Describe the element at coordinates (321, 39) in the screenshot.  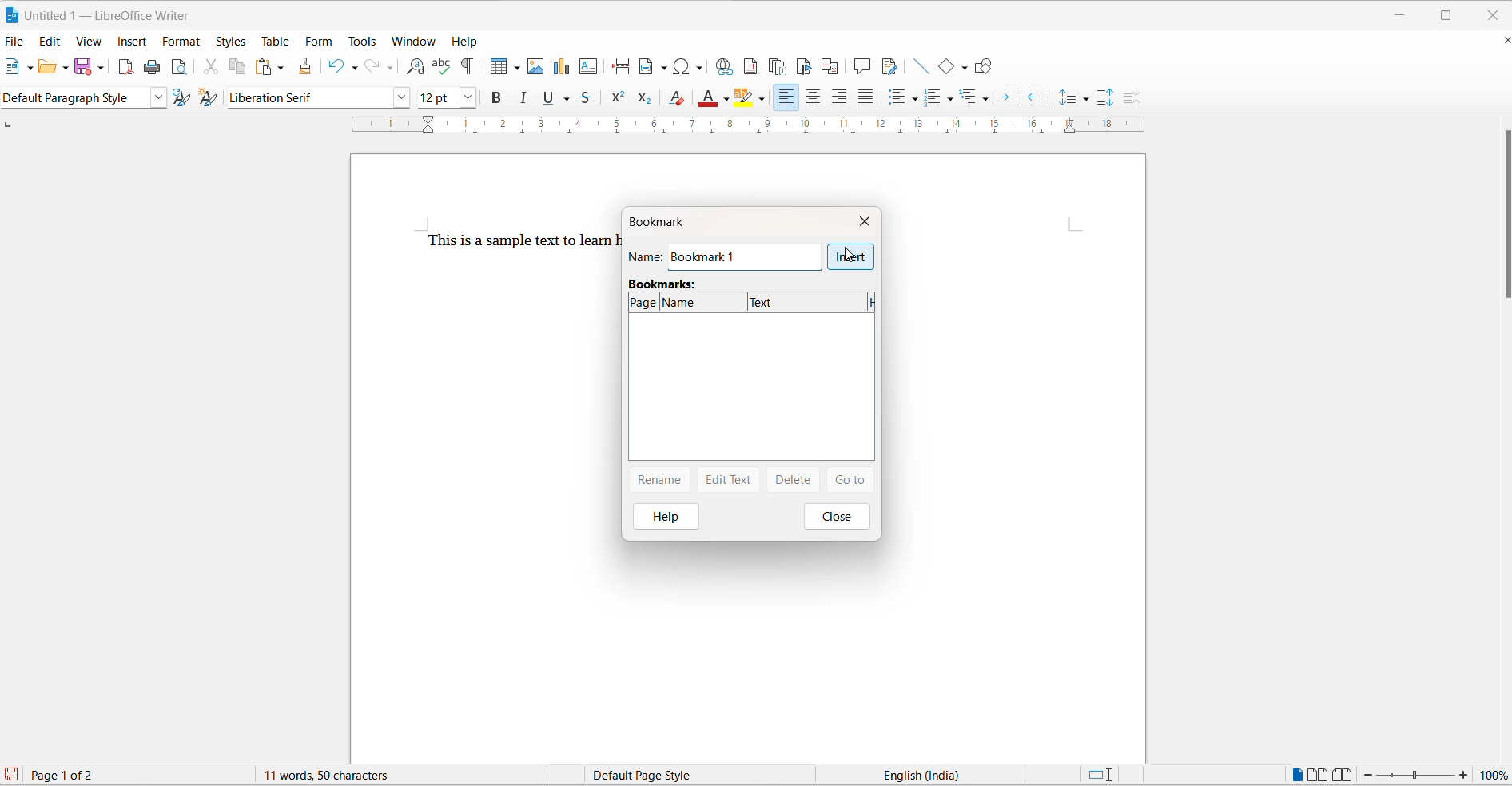
I see `form` at that location.